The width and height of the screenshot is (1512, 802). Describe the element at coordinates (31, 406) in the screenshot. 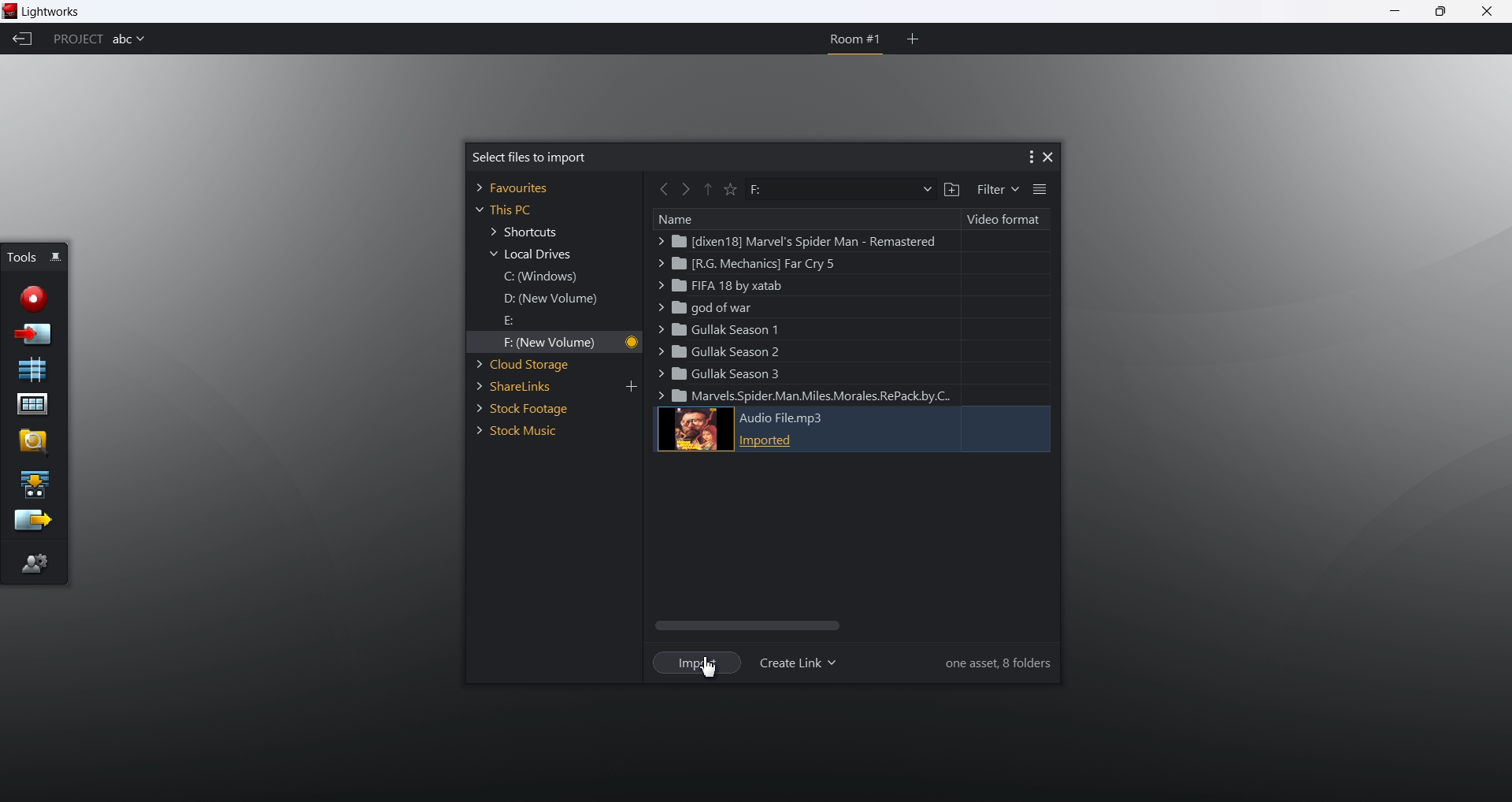

I see `project contents` at that location.